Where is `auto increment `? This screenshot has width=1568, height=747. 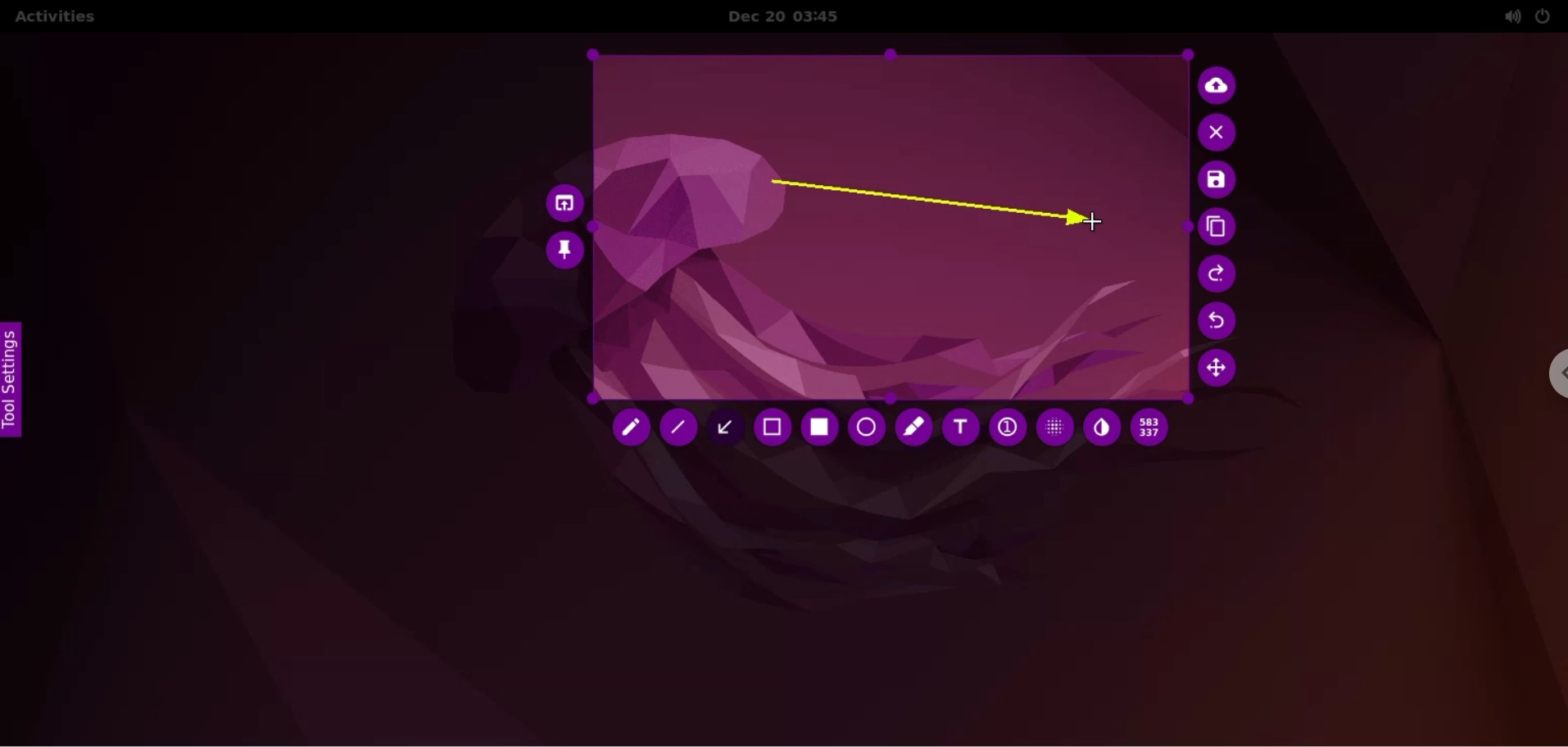
auto increment  is located at coordinates (1006, 429).